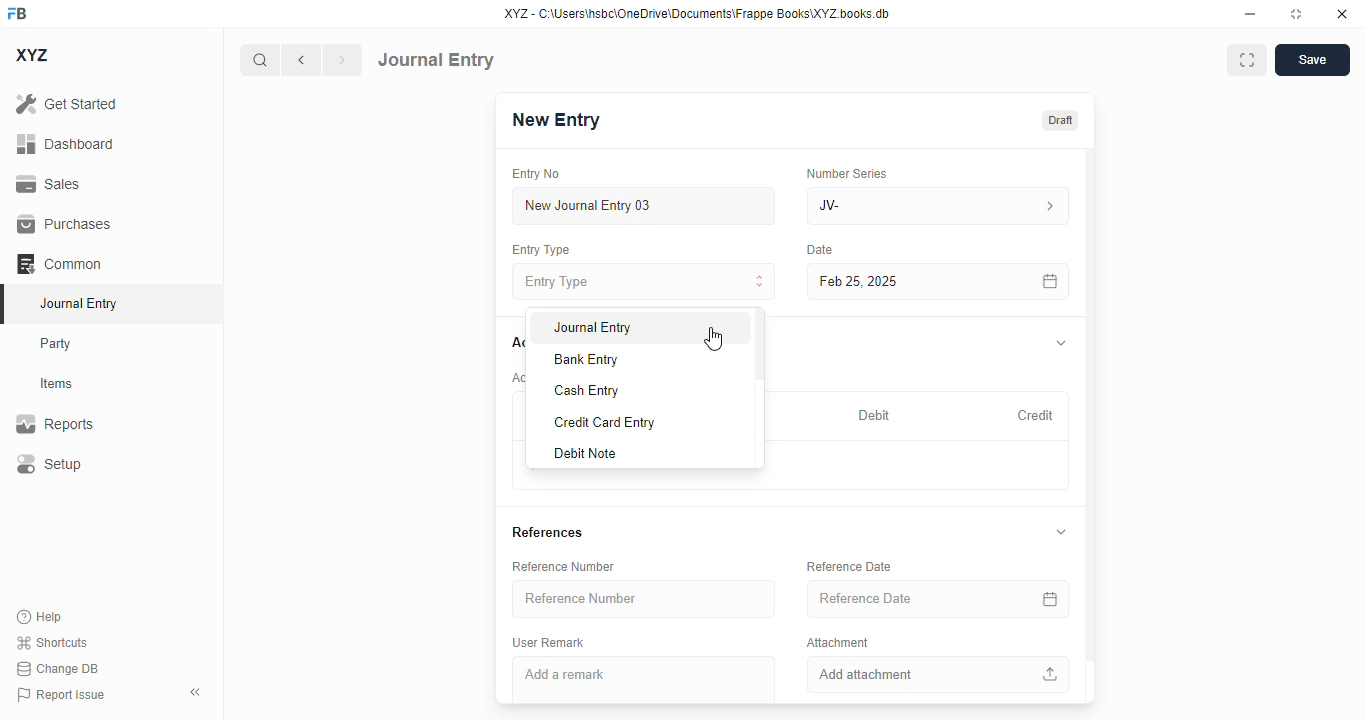 This screenshot has height=720, width=1366. I want to click on account entries, so click(517, 377).